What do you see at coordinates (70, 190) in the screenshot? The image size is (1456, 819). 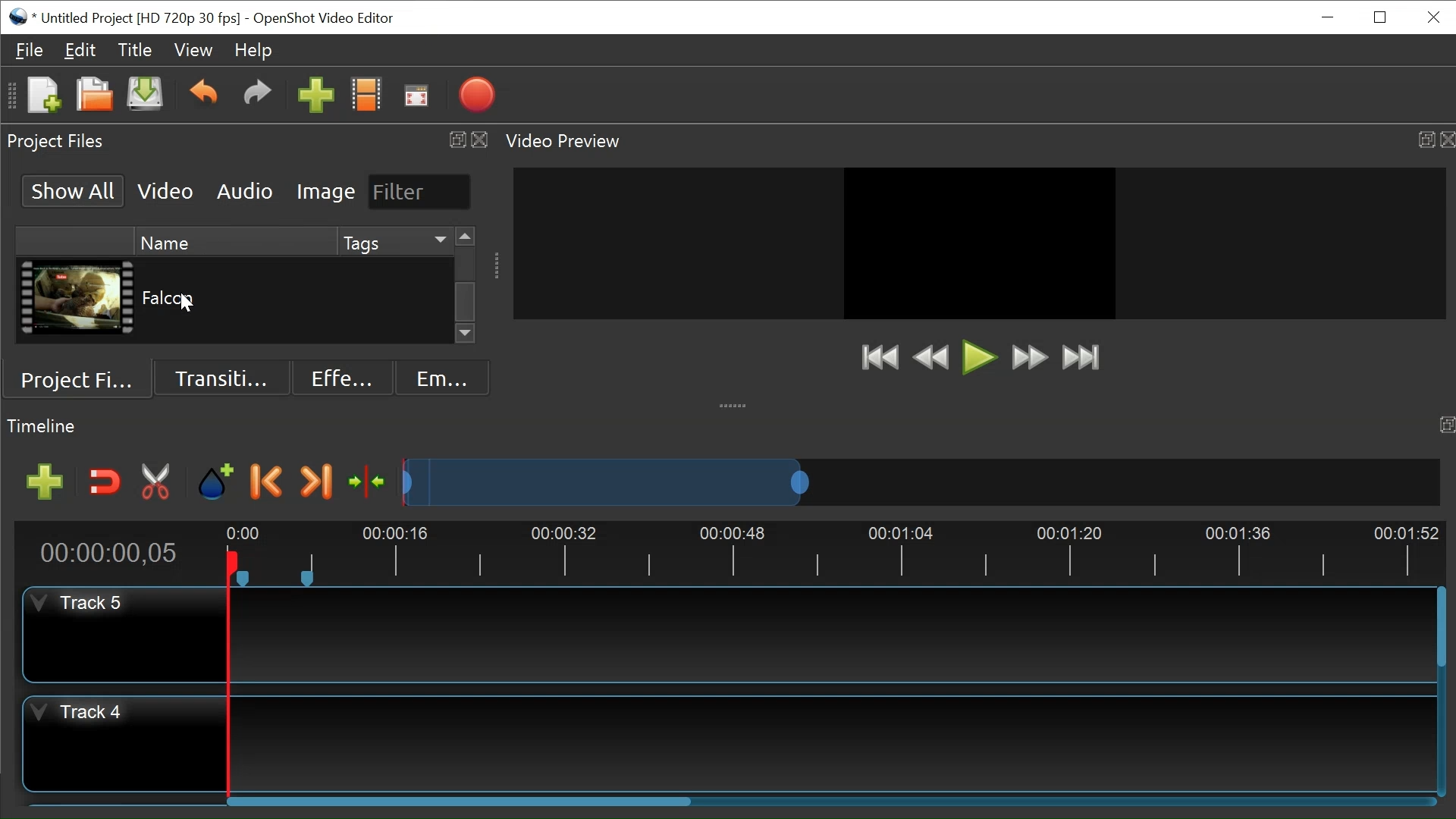 I see `Show All` at bounding box center [70, 190].